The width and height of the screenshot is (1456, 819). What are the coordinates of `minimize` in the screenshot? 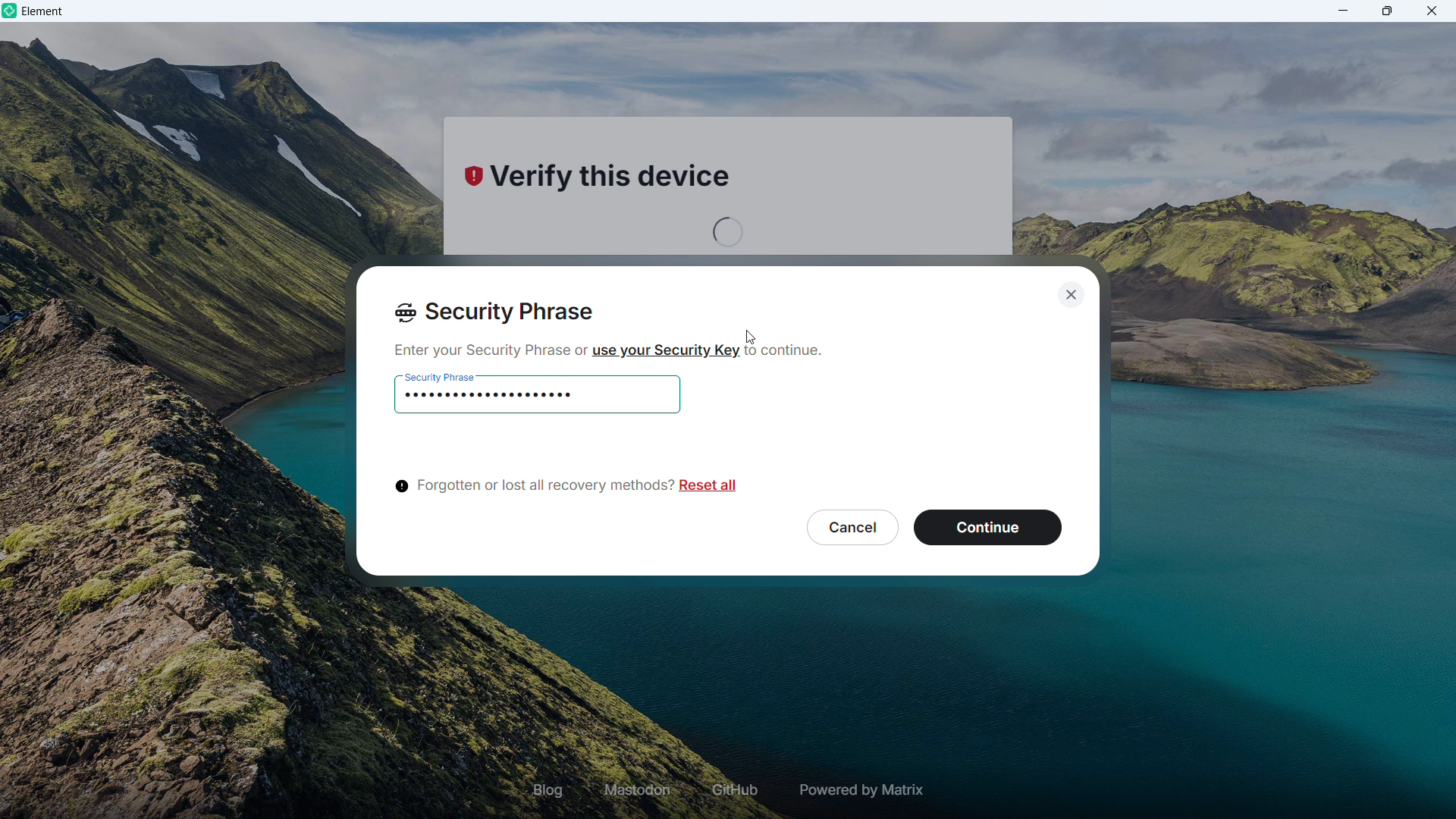 It's located at (1344, 11).